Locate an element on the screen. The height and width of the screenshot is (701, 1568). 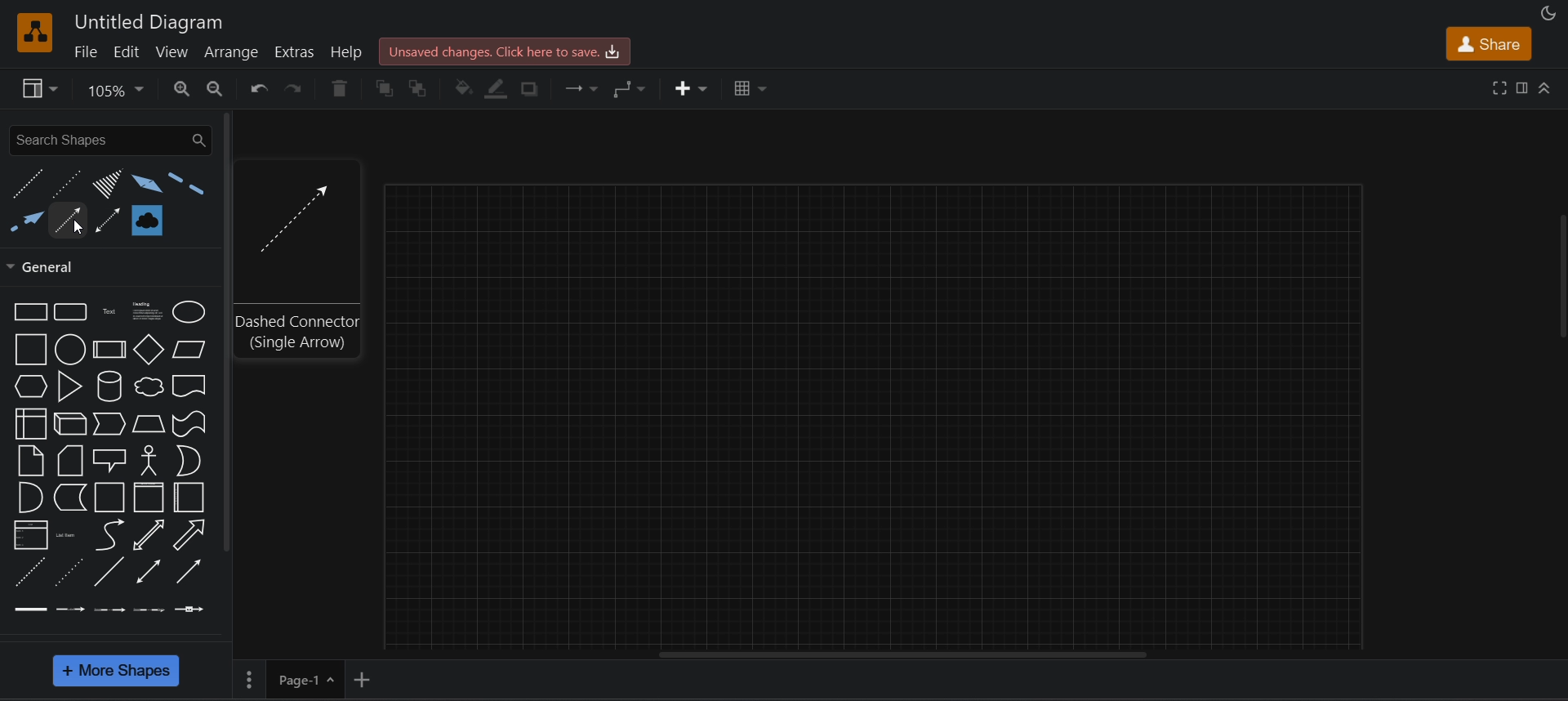
dashed line is located at coordinates (28, 185).